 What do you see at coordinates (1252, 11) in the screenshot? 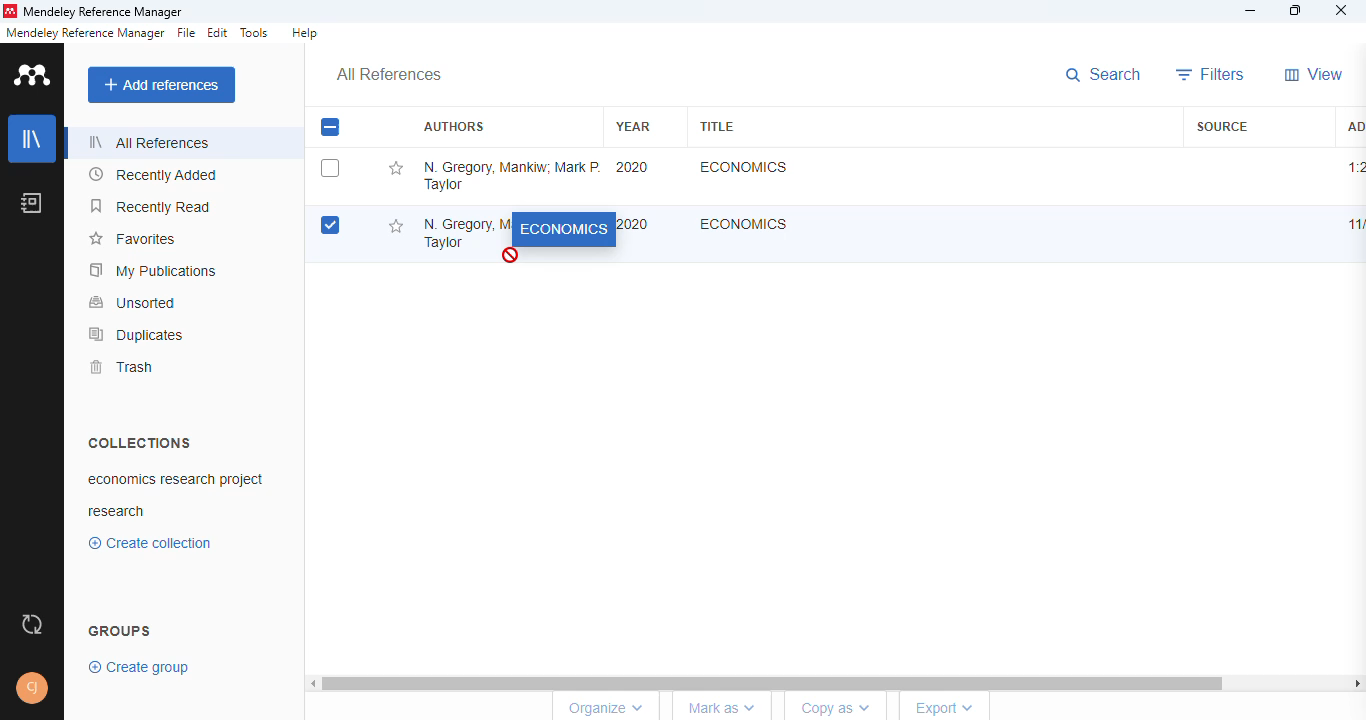
I see `minimize` at bounding box center [1252, 11].